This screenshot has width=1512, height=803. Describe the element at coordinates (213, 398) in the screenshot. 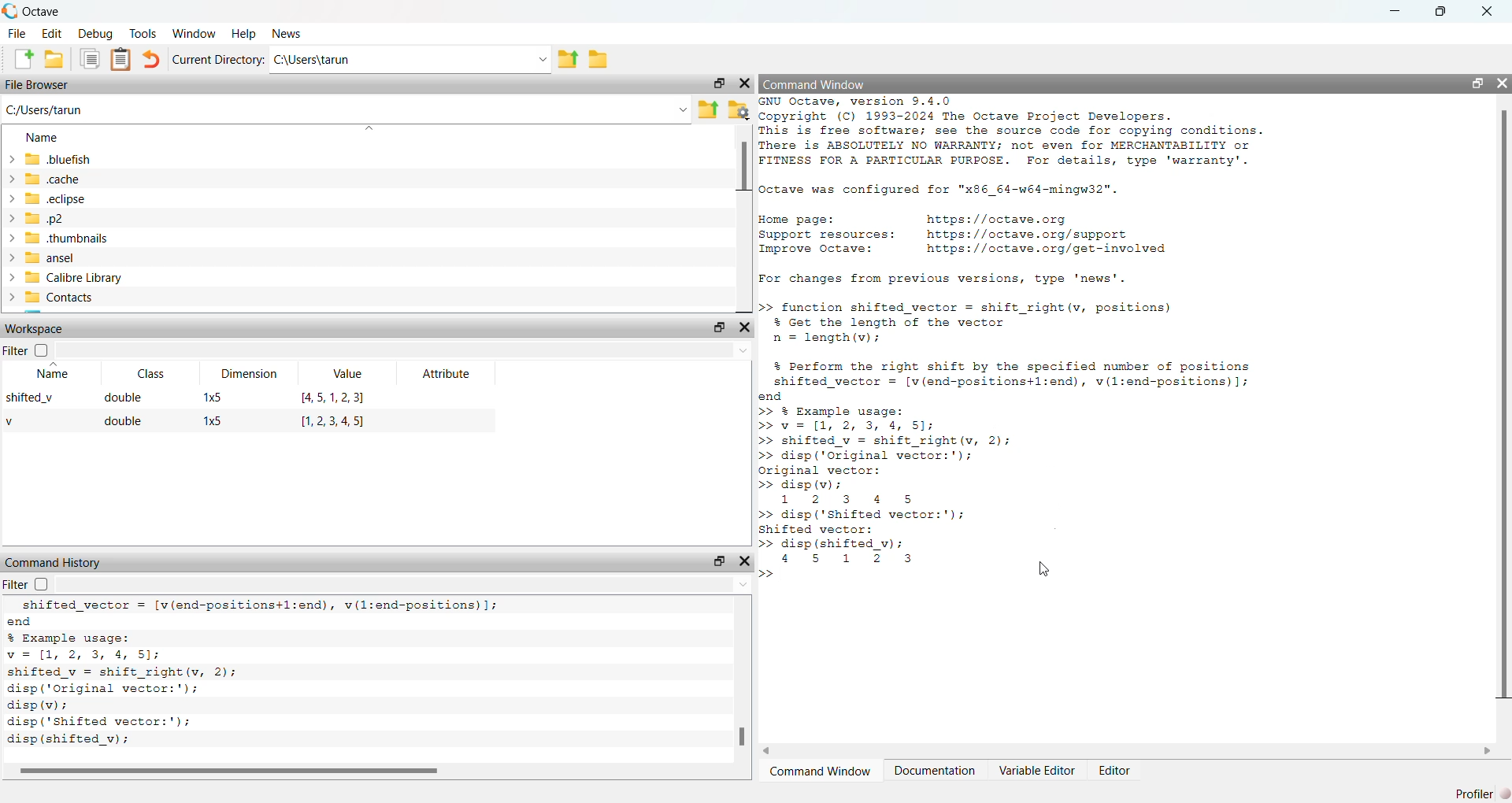

I see `1x5` at that location.